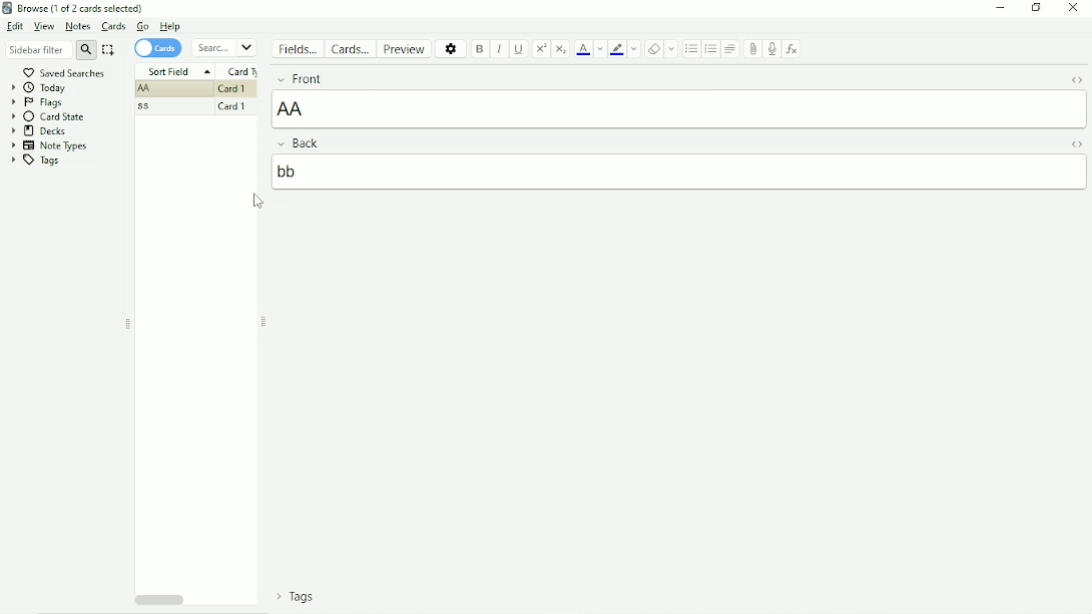  I want to click on Card Type, so click(241, 71).